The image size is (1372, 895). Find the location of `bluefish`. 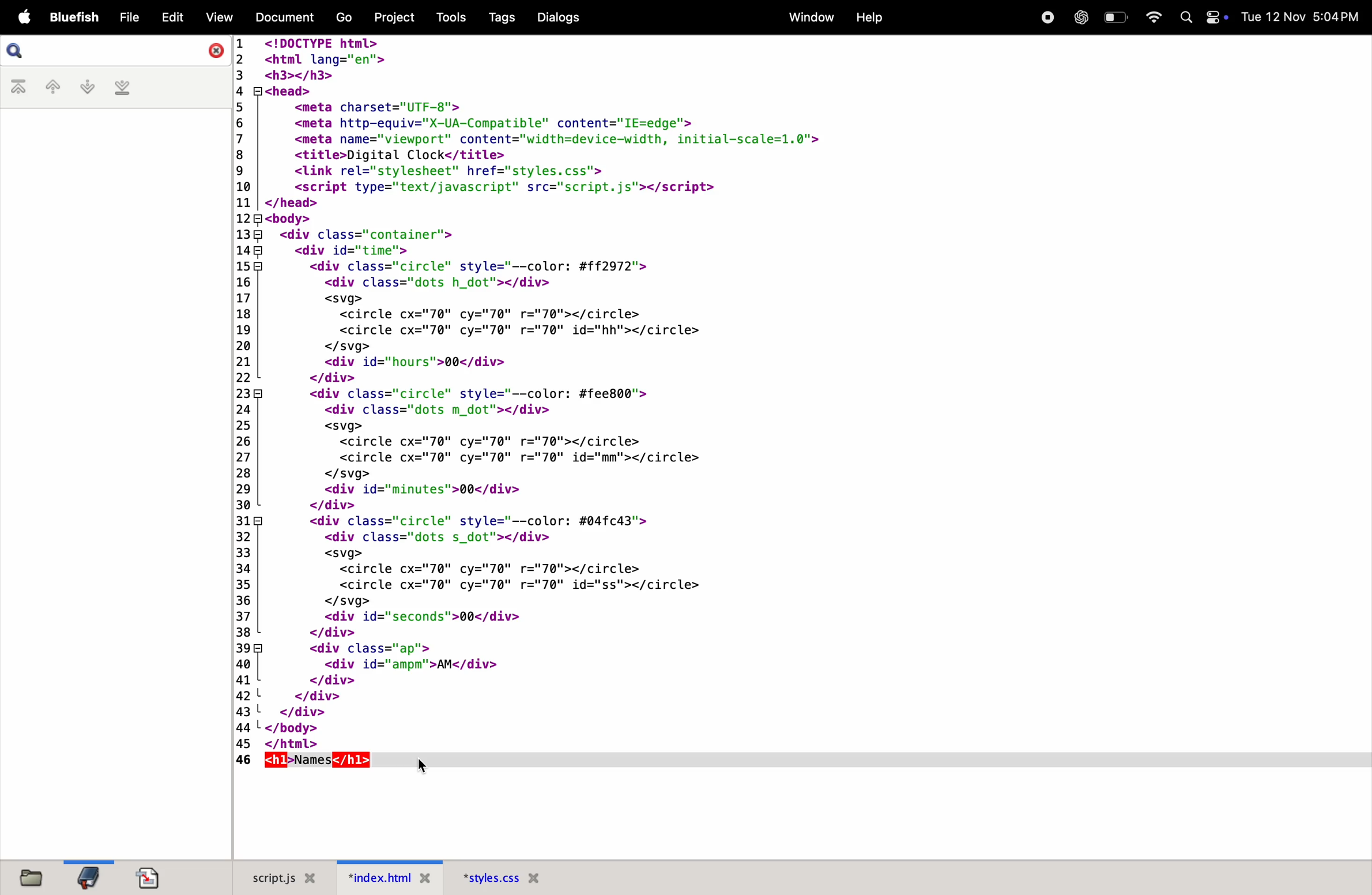

bluefish is located at coordinates (74, 16).